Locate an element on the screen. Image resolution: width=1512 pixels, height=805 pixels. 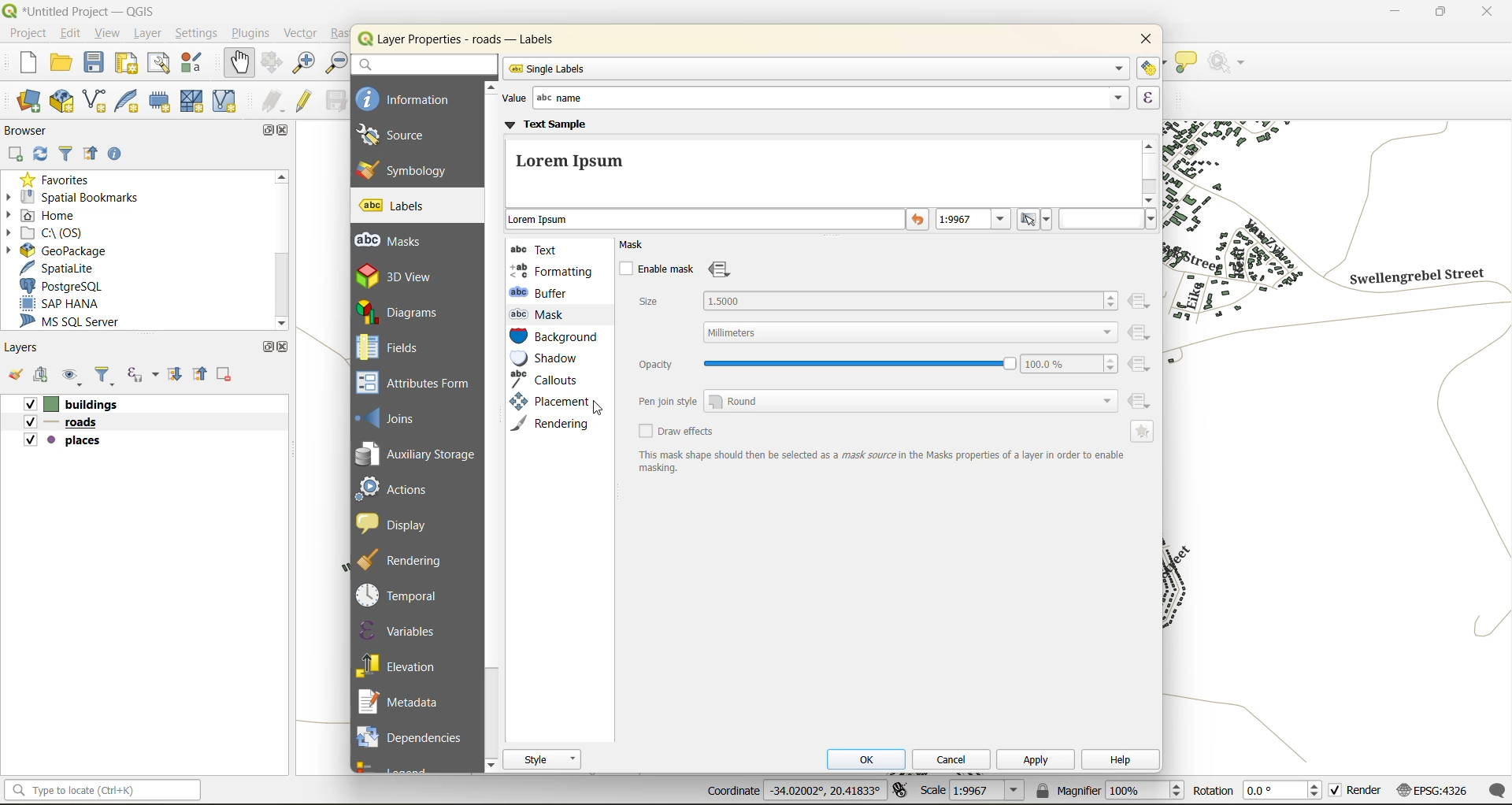
add is located at coordinates (17, 154).